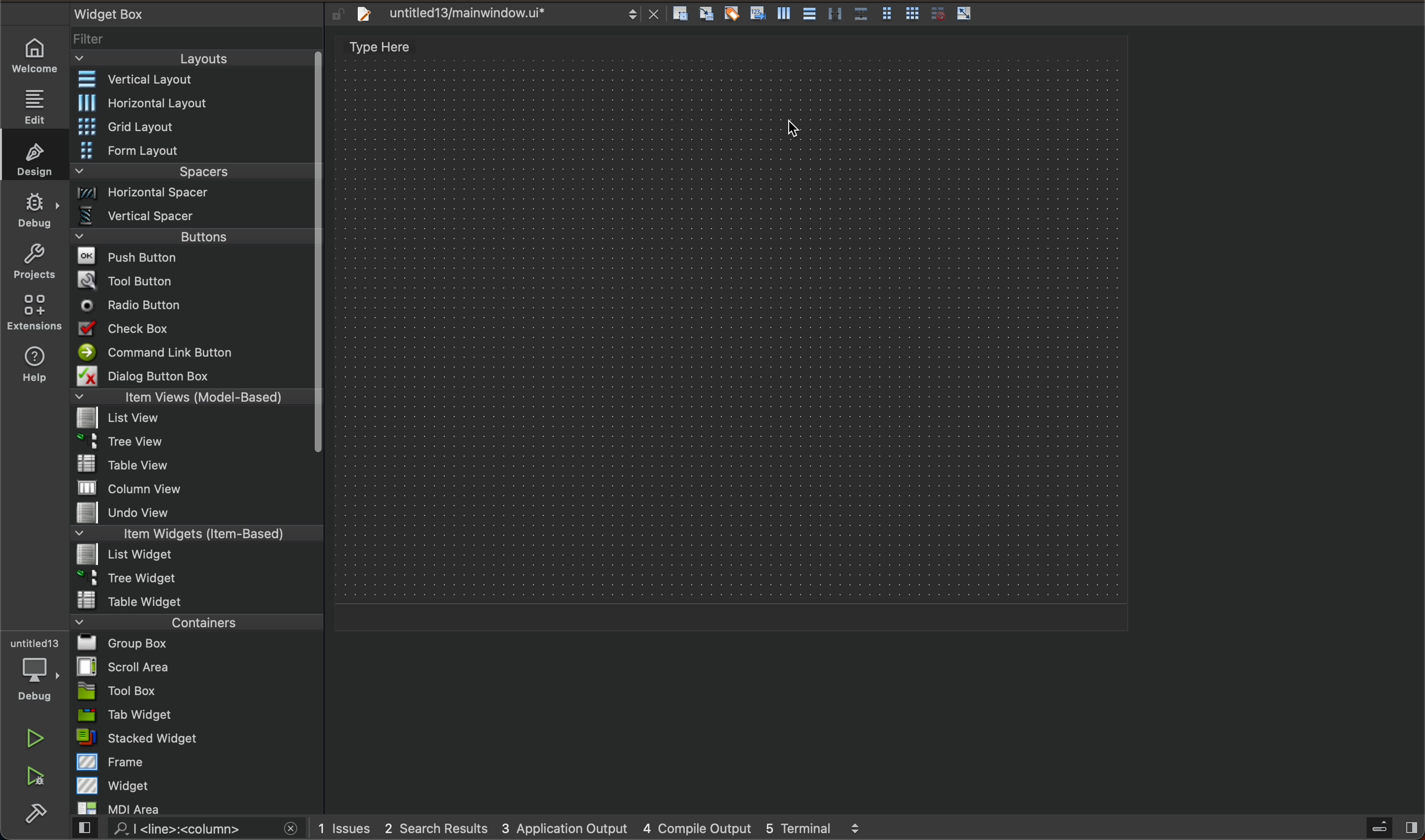 The height and width of the screenshot is (840, 1425). Describe the element at coordinates (33, 155) in the screenshot. I see `design` at that location.